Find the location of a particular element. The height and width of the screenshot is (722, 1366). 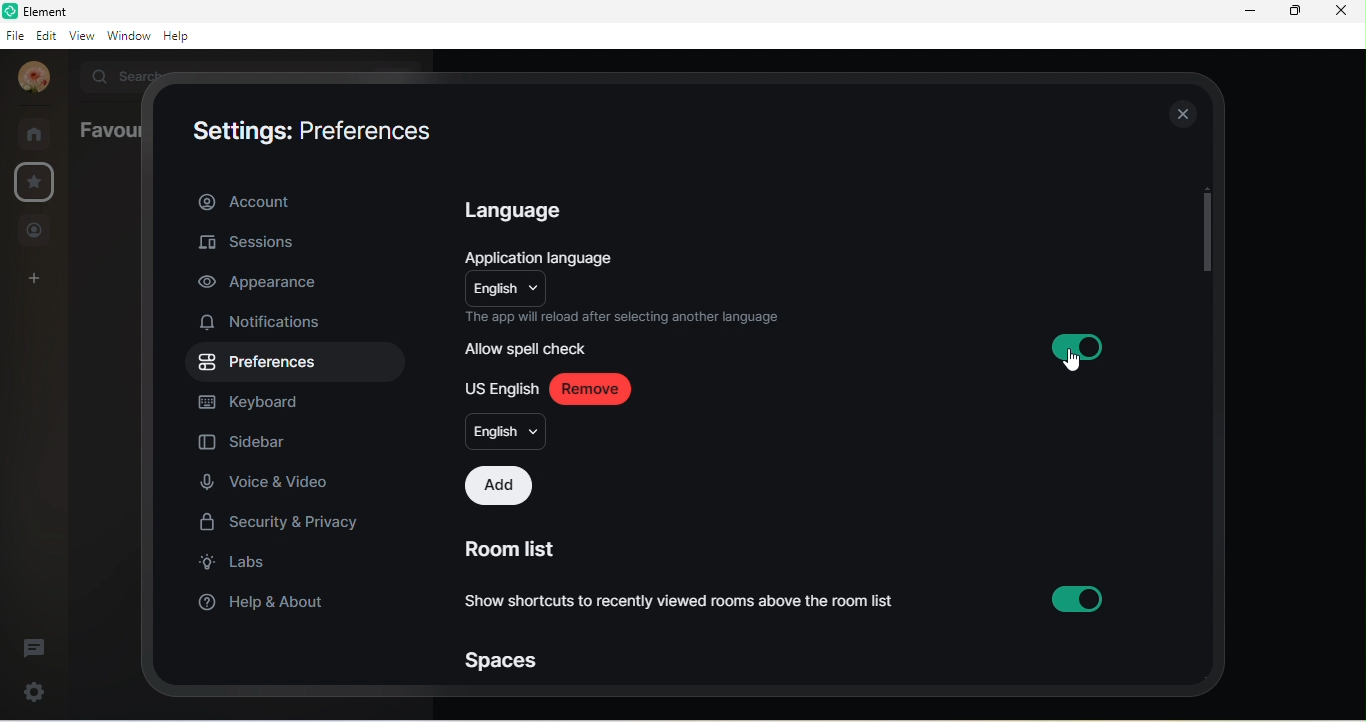

cursor movement is located at coordinates (1076, 364).